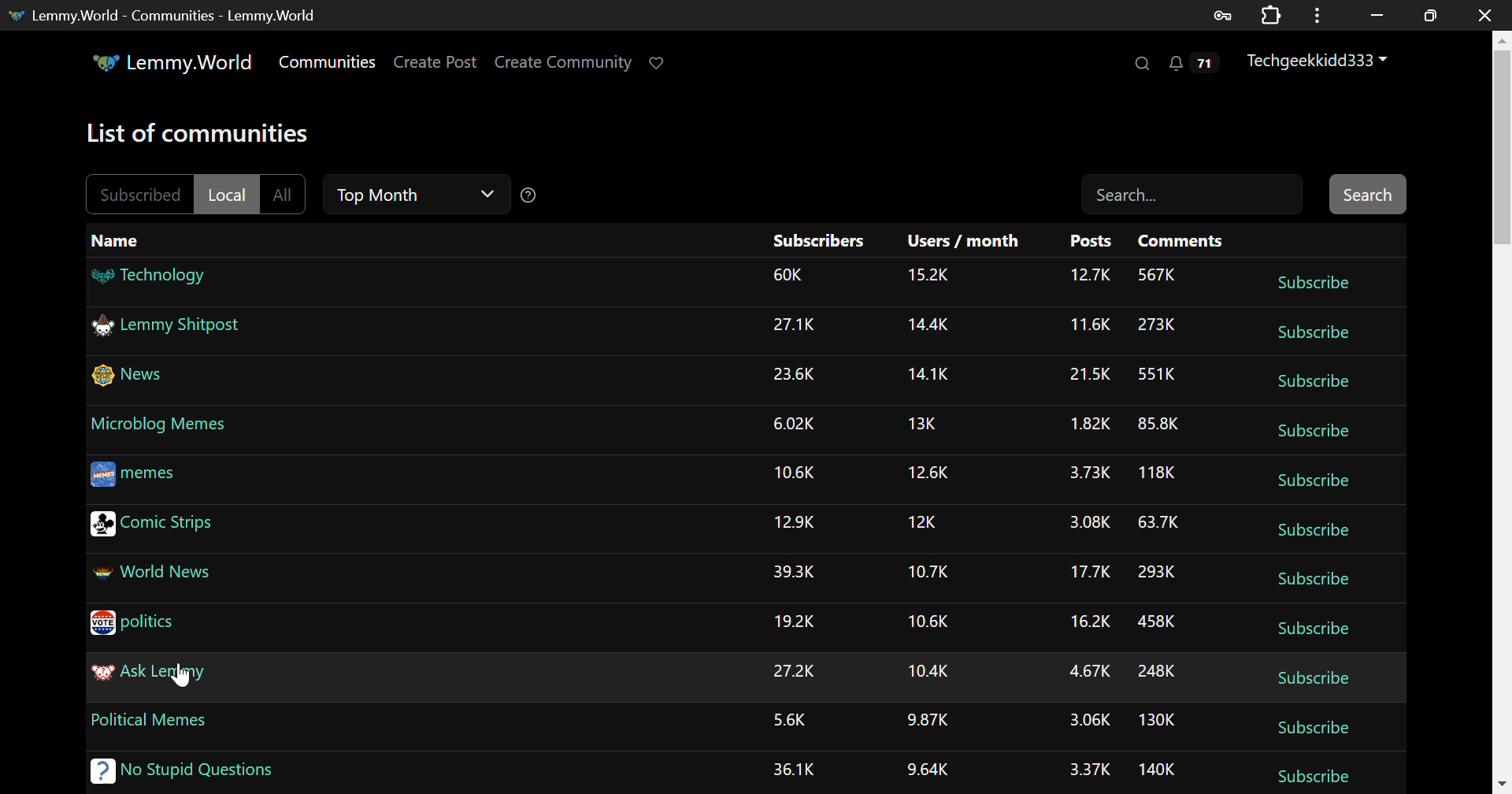 The image size is (1512, 794). Describe the element at coordinates (785, 276) in the screenshot. I see `Amount` at that location.